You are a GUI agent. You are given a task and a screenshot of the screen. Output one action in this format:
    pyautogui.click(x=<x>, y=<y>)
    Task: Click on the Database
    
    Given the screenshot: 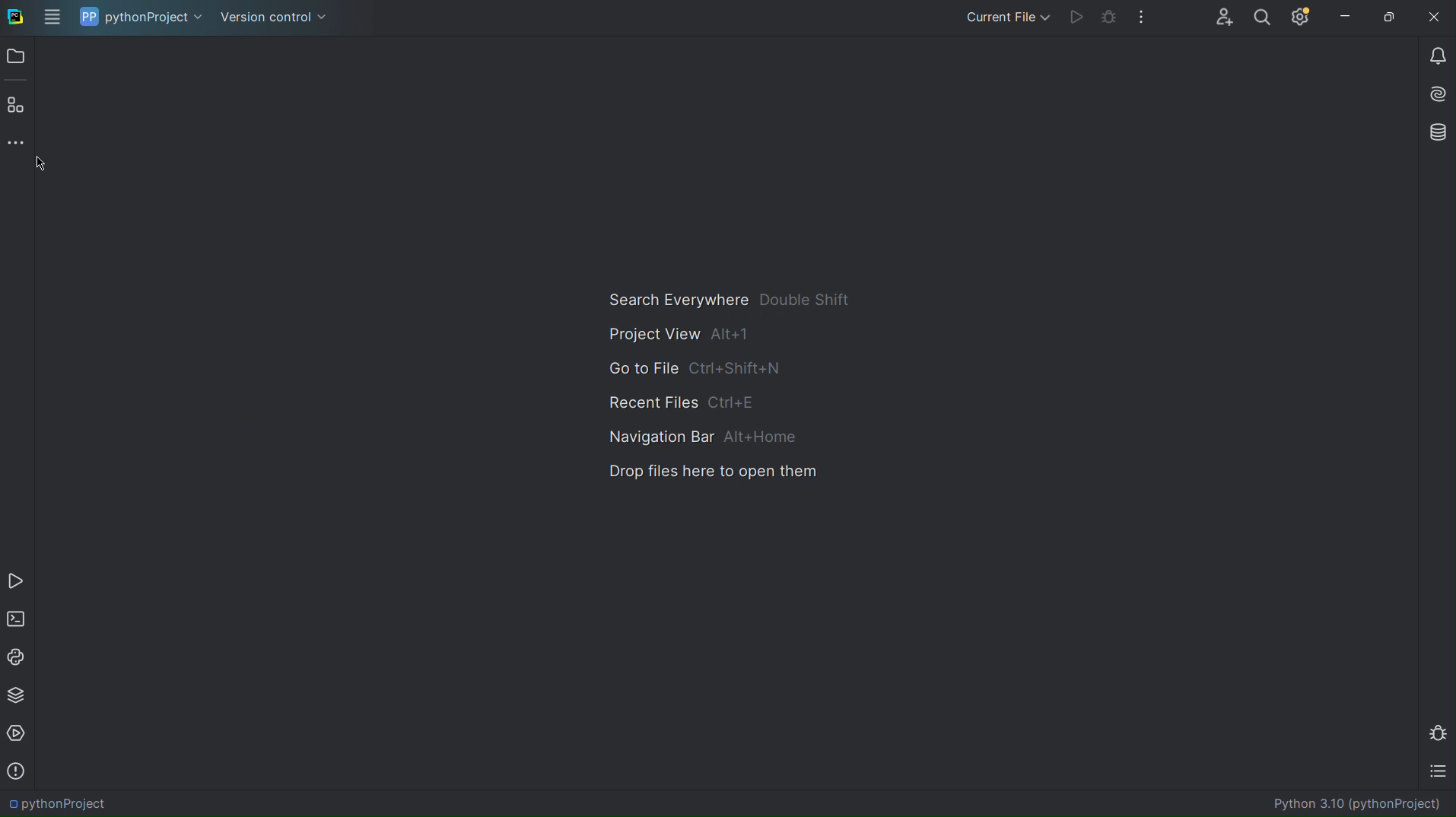 What is the action you would take?
    pyautogui.click(x=1434, y=132)
    